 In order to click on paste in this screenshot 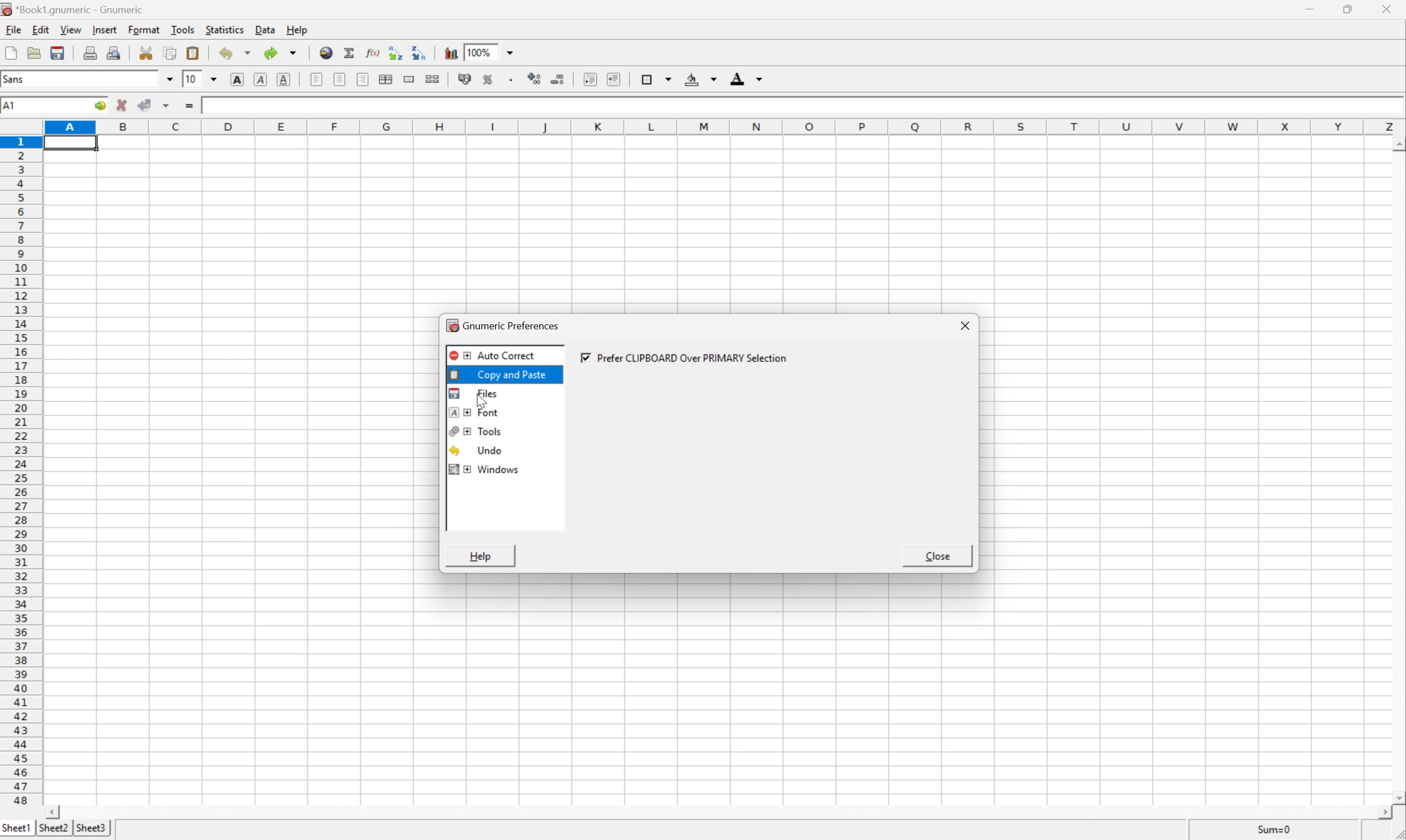, I will do `click(193, 52)`.